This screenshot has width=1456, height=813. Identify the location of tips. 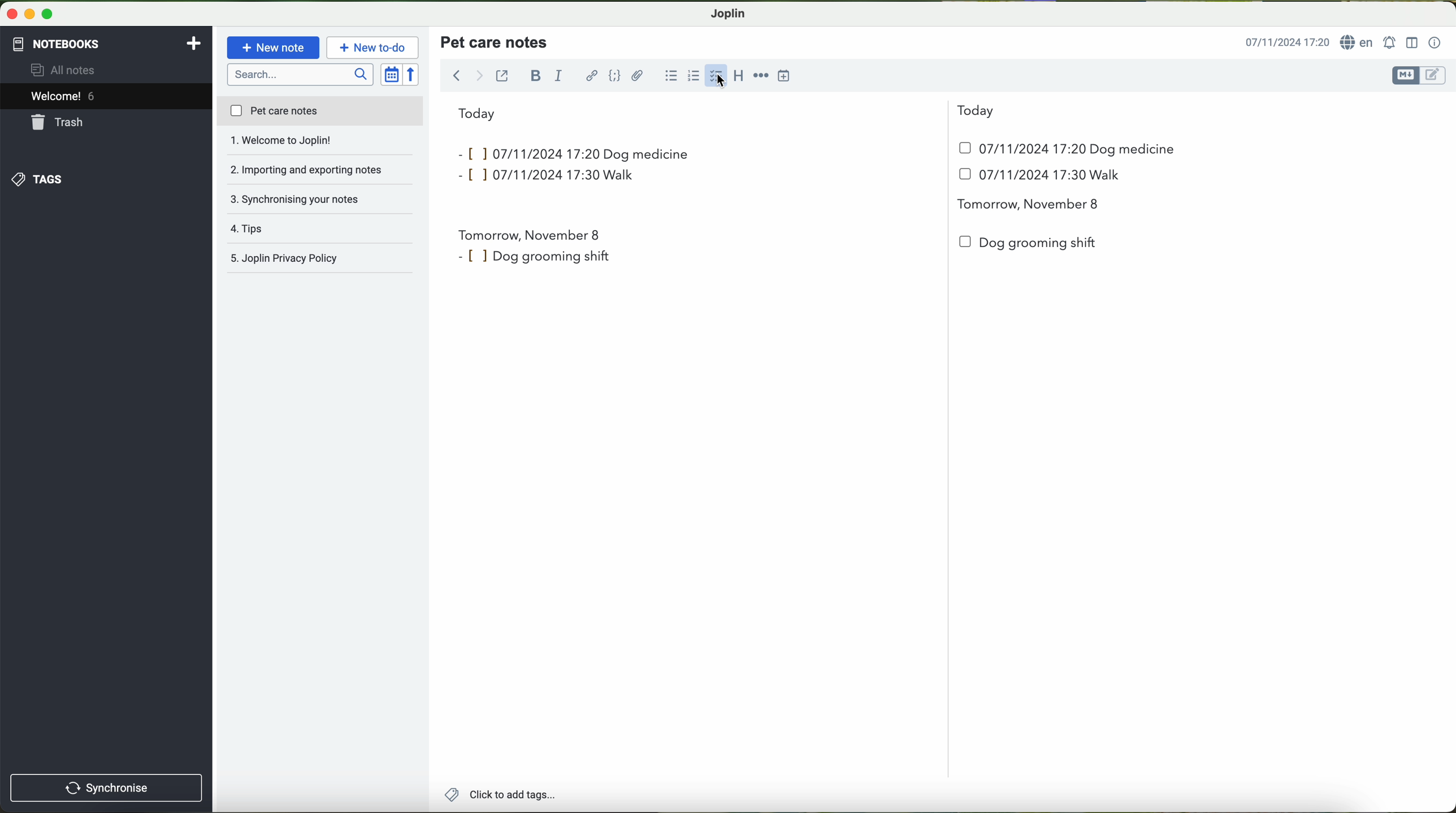
(320, 199).